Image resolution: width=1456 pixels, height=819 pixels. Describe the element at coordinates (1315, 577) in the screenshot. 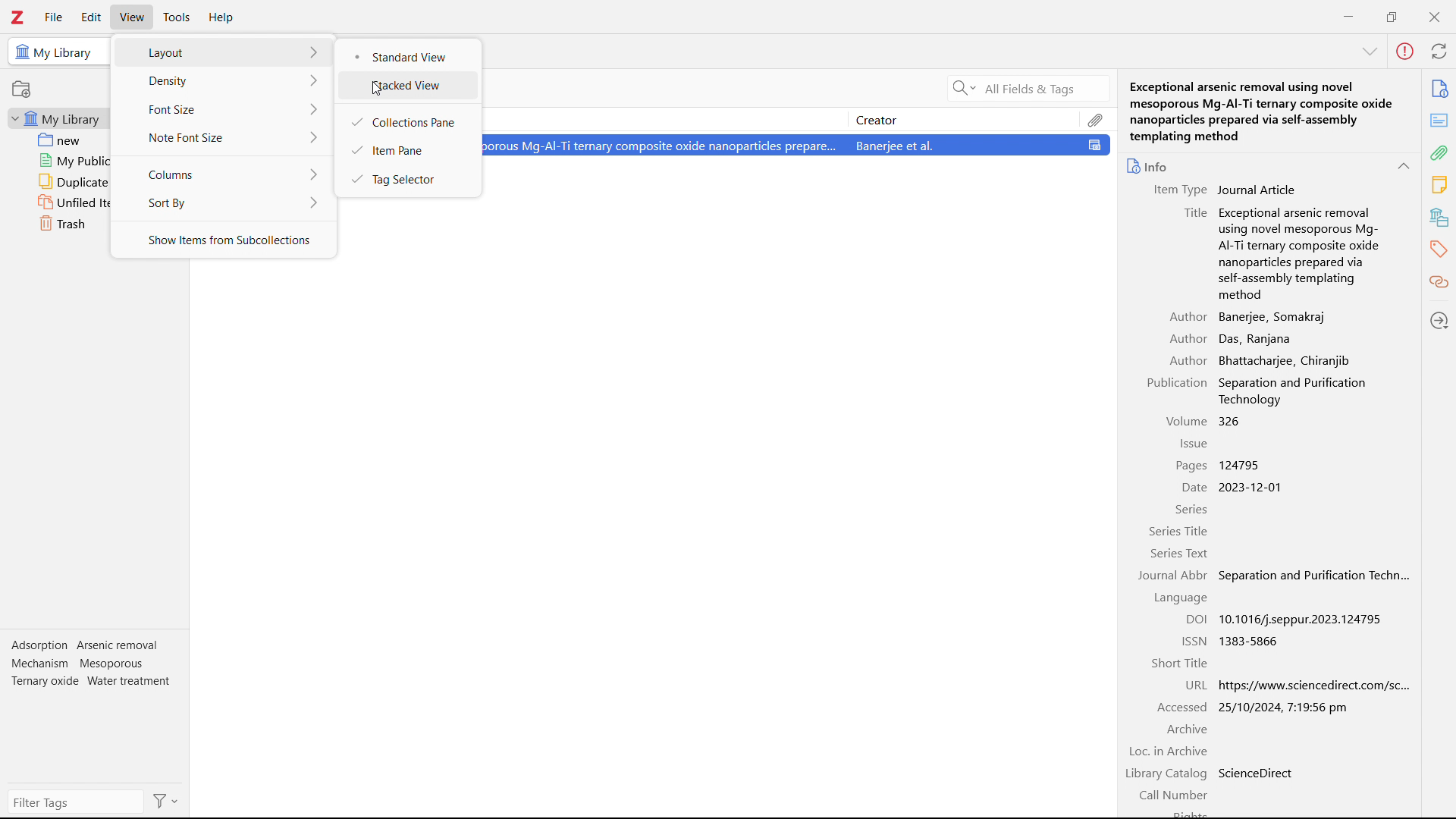

I see `Separation and Purification Techn...` at that location.